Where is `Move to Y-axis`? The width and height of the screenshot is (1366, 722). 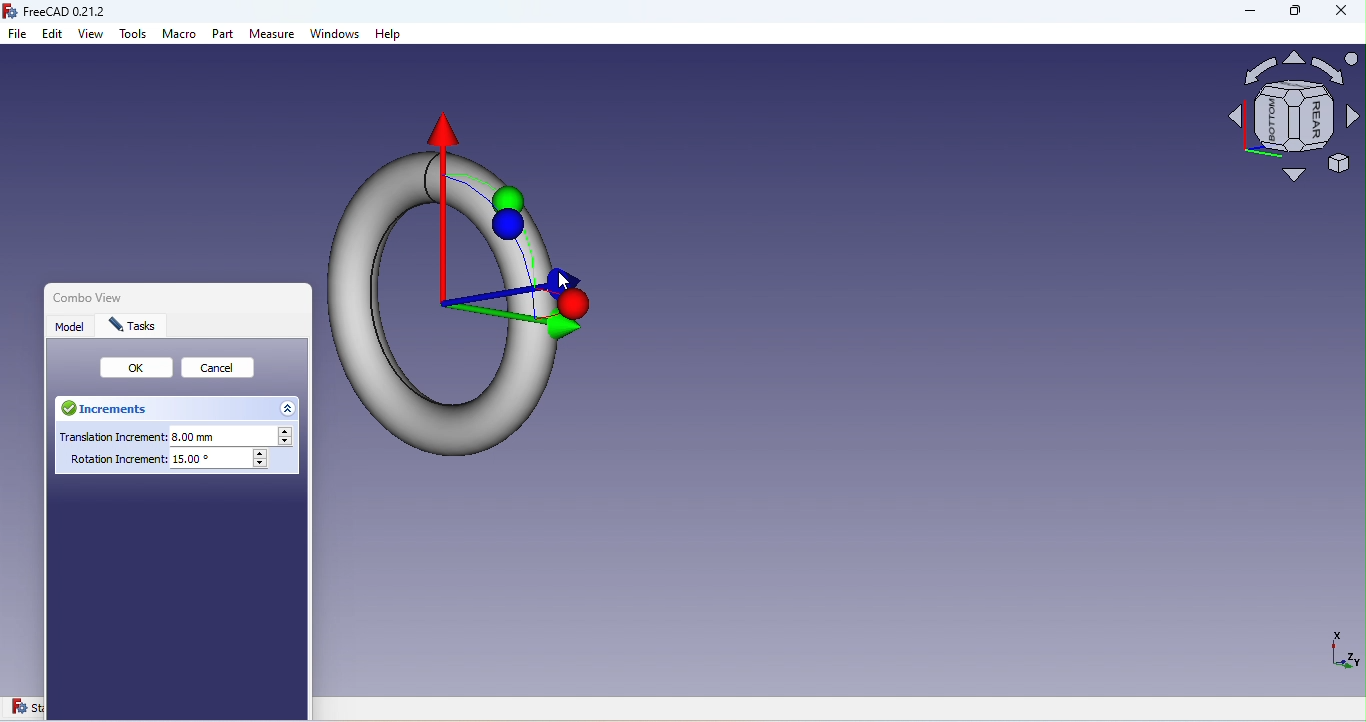
Move to Y-axis is located at coordinates (568, 322).